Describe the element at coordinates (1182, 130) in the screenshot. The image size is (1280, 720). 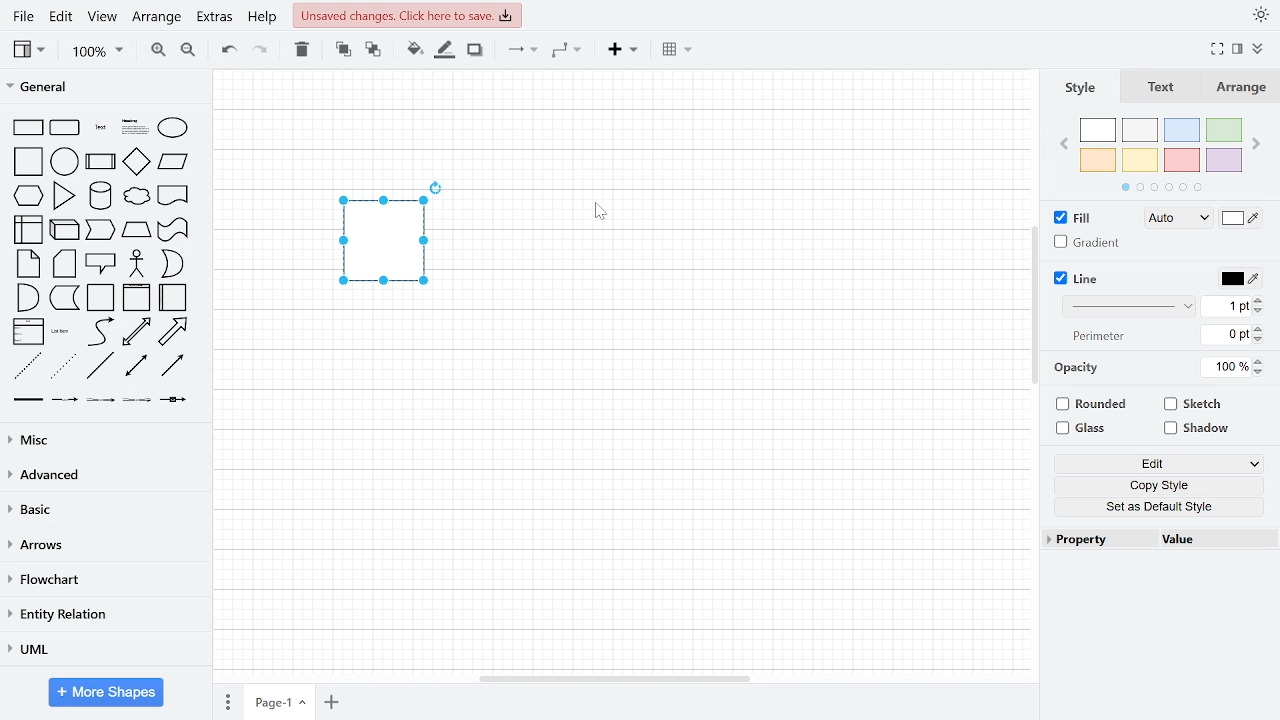
I see `blue` at that location.